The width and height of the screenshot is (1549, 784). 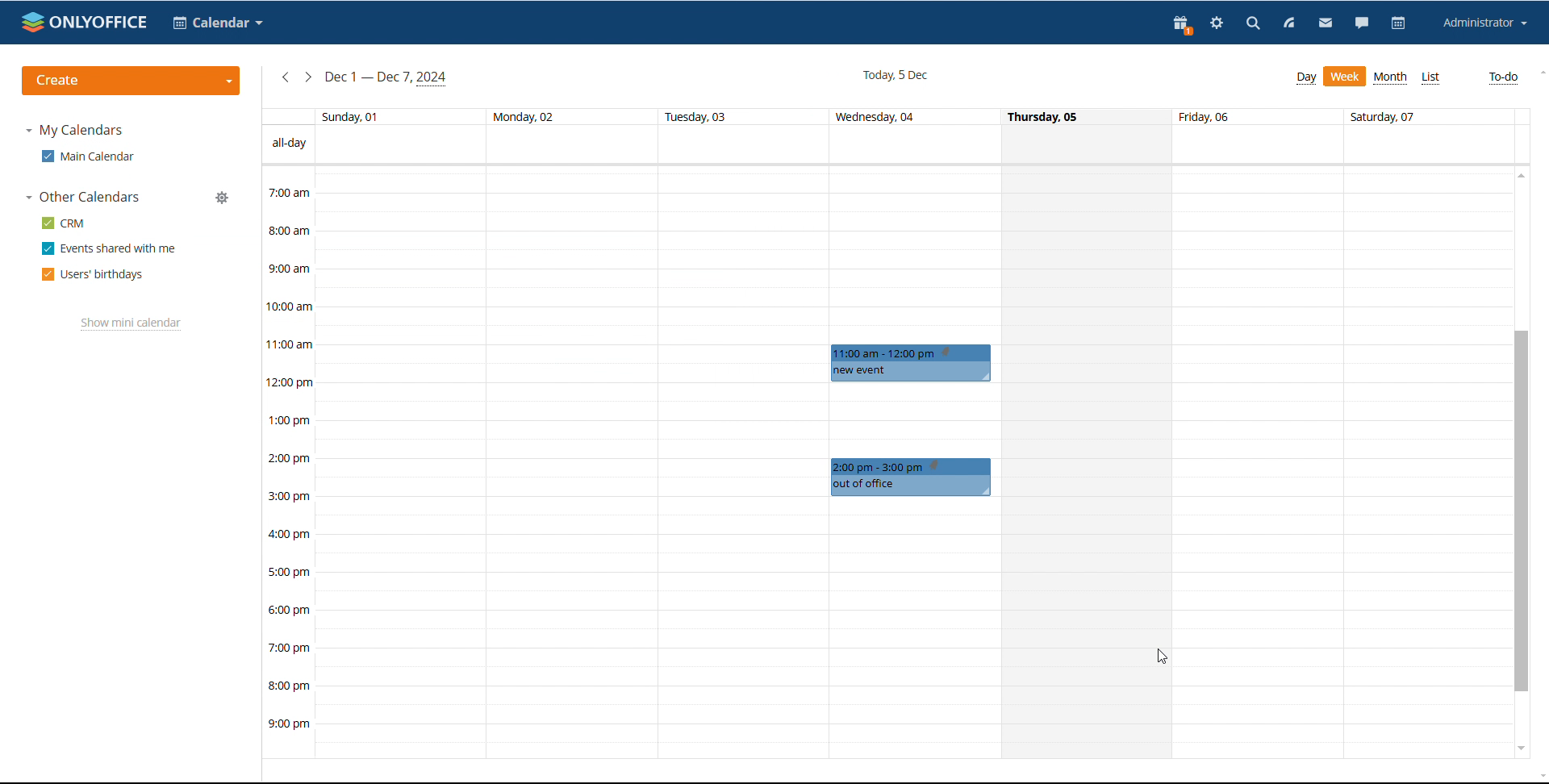 What do you see at coordinates (289, 462) in the screenshot?
I see `timeline` at bounding box center [289, 462].